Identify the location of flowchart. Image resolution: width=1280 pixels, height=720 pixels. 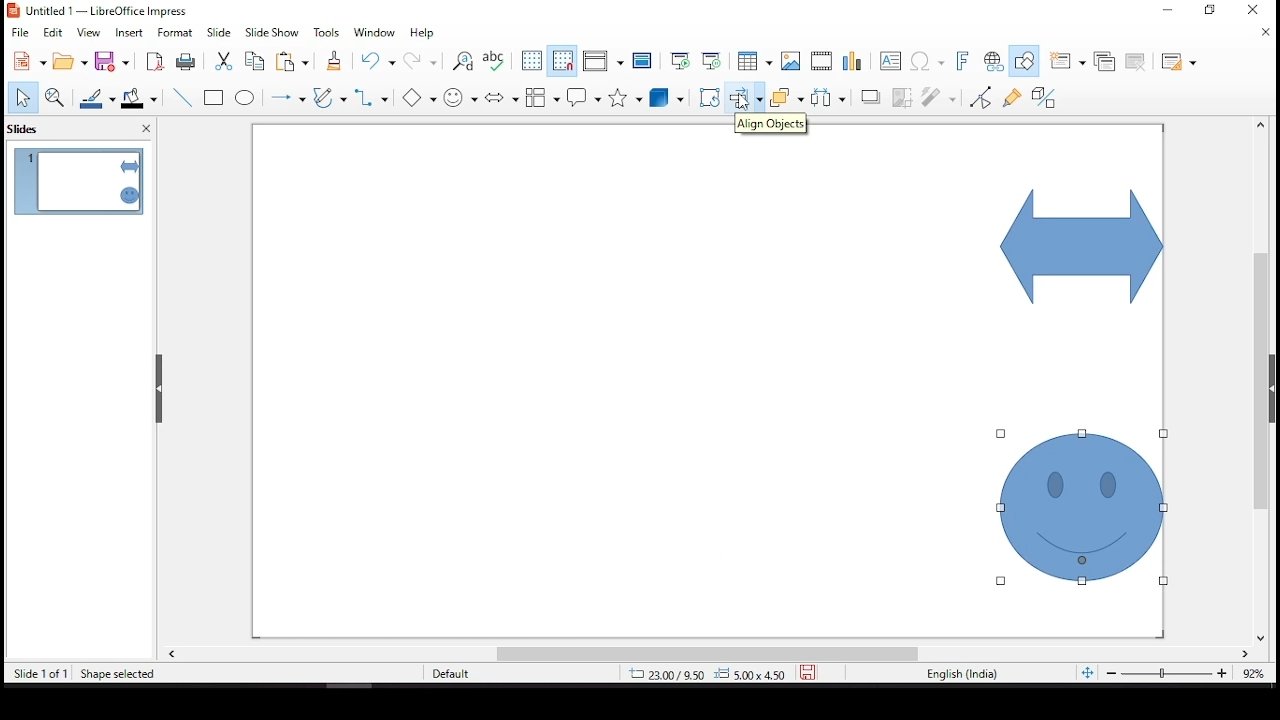
(541, 94).